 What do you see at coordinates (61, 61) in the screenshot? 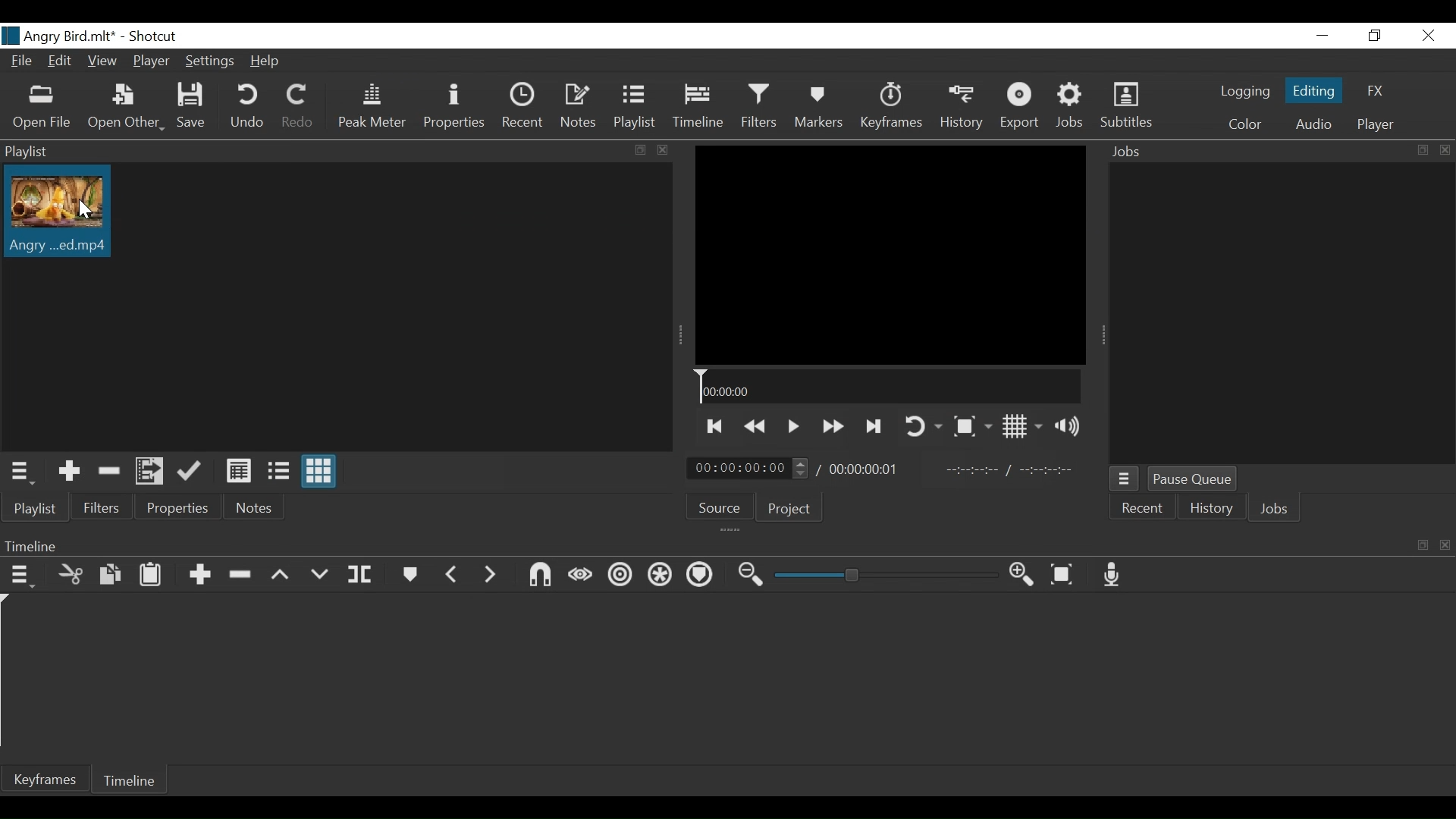
I see `Edit` at bounding box center [61, 61].